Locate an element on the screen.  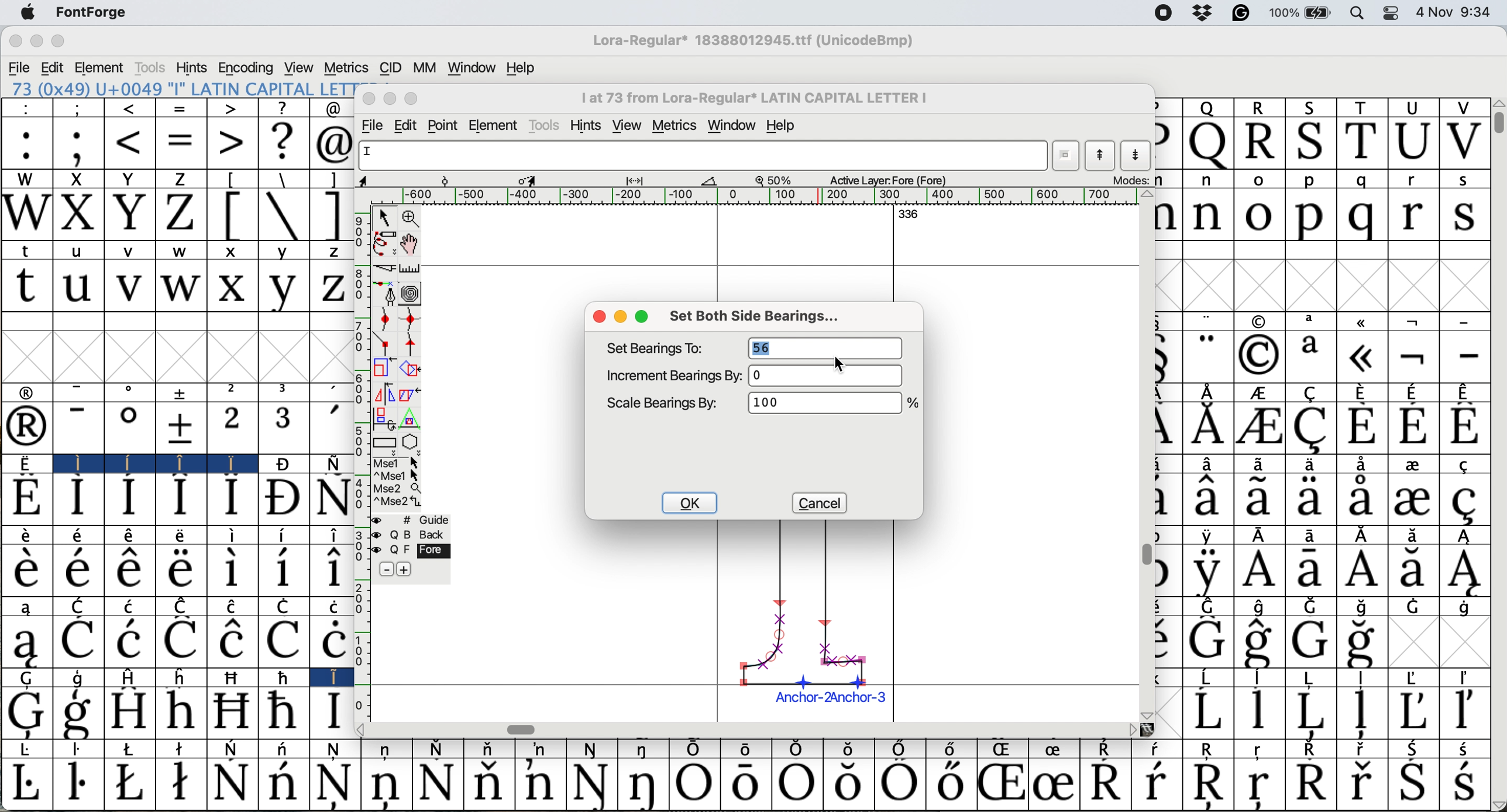
Y is located at coordinates (129, 180).